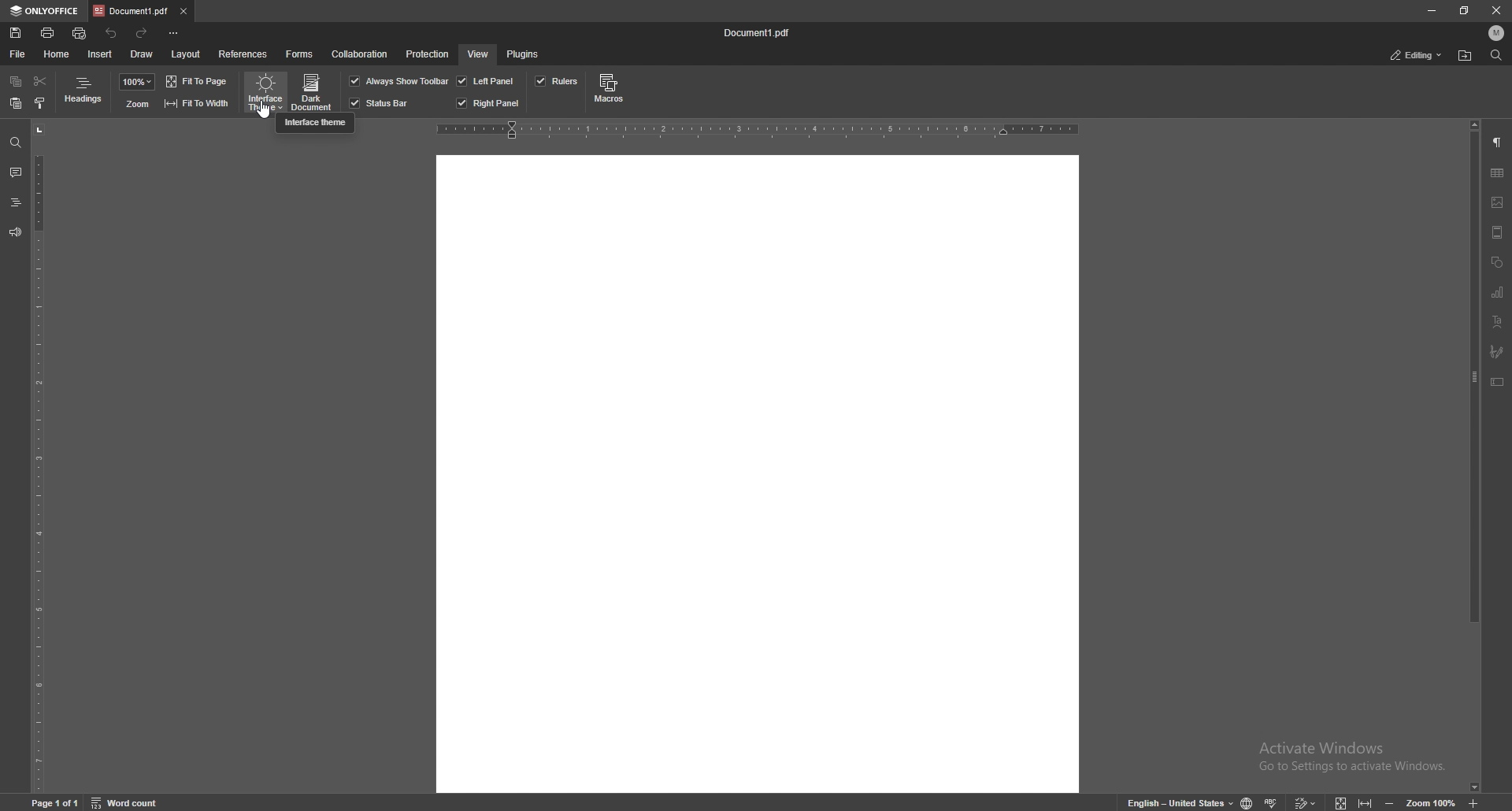 The height and width of the screenshot is (811, 1512). Describe the element at coordinates (1344, 803) in the screenshot. I see `fit to screen` at that location.